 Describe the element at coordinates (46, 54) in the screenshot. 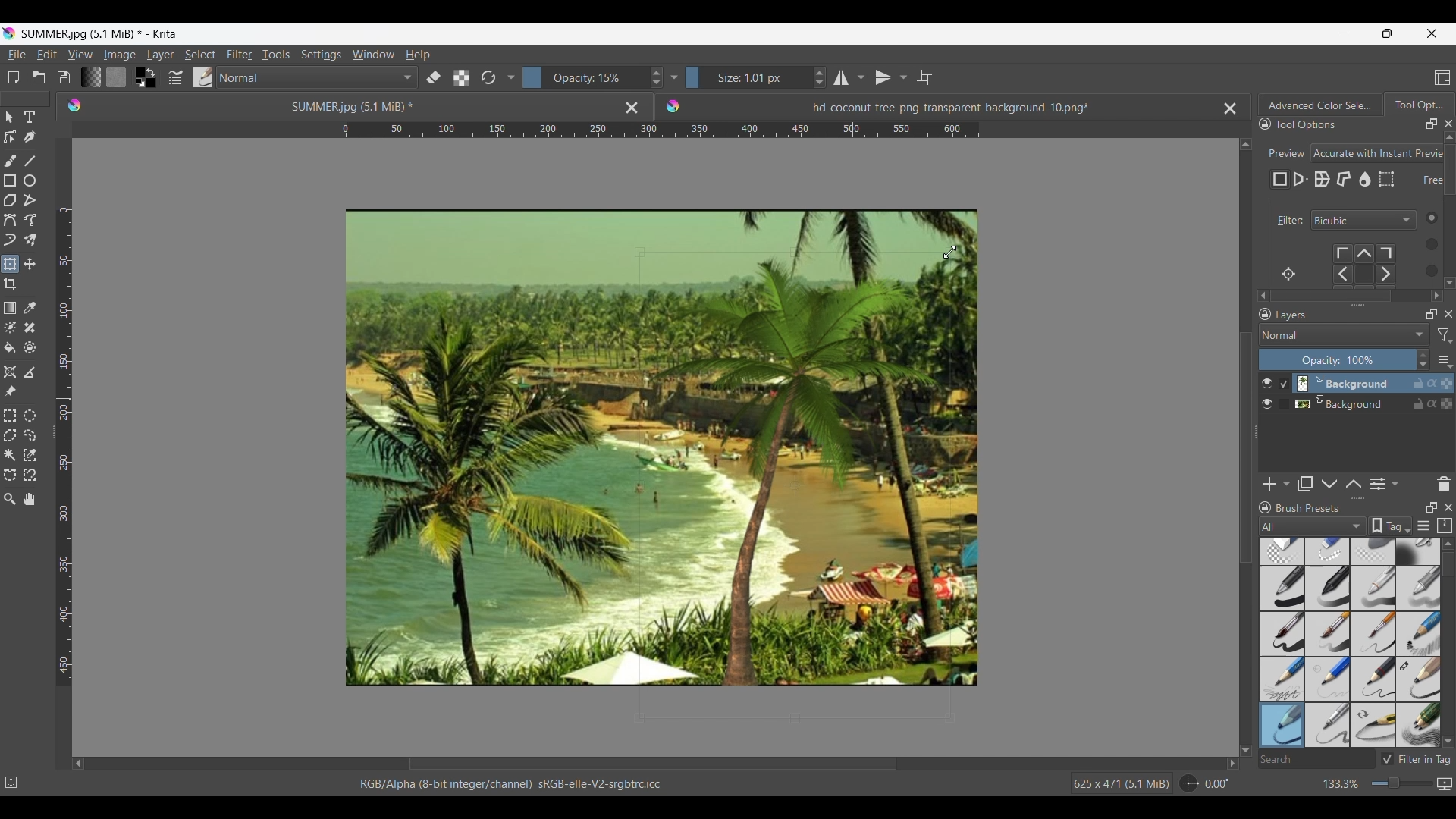

I see `Edit` at that location.